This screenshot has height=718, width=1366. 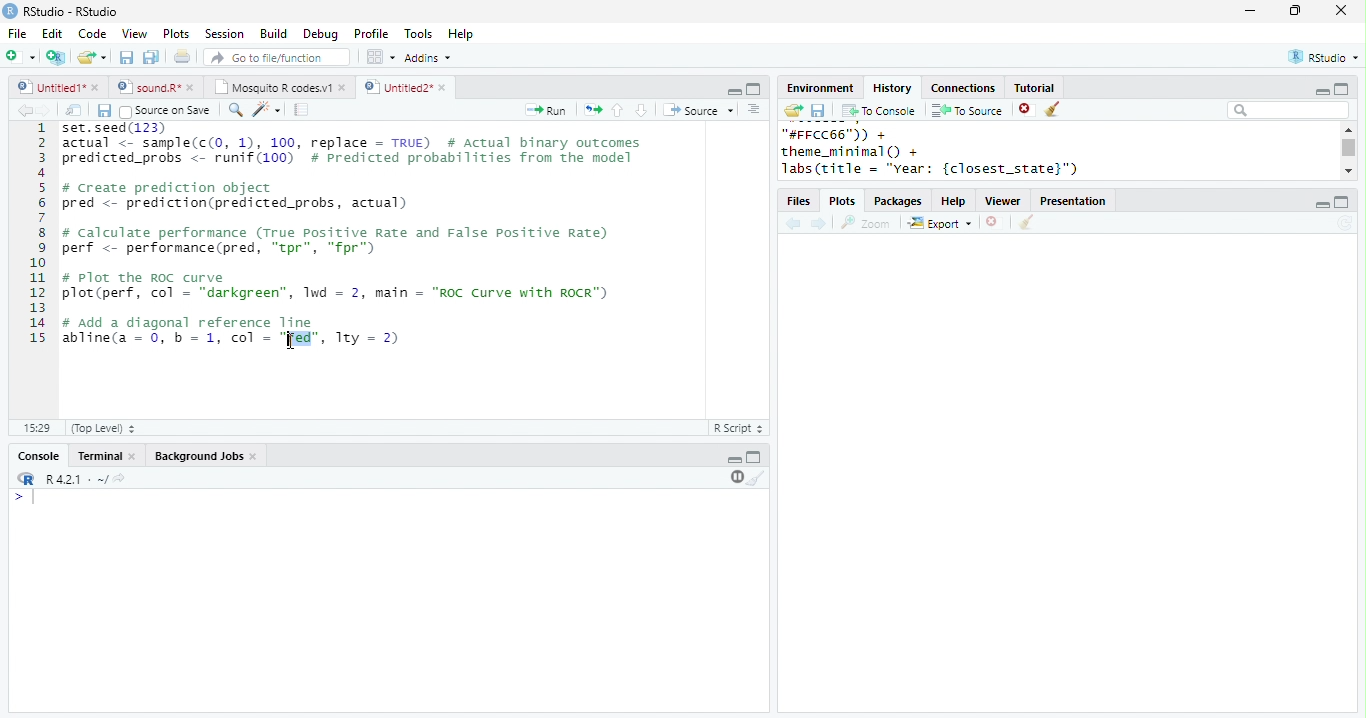 What do you see at coordinates (134, 34) in the screenshot?
I see `View` at bounding box center [134, 34].